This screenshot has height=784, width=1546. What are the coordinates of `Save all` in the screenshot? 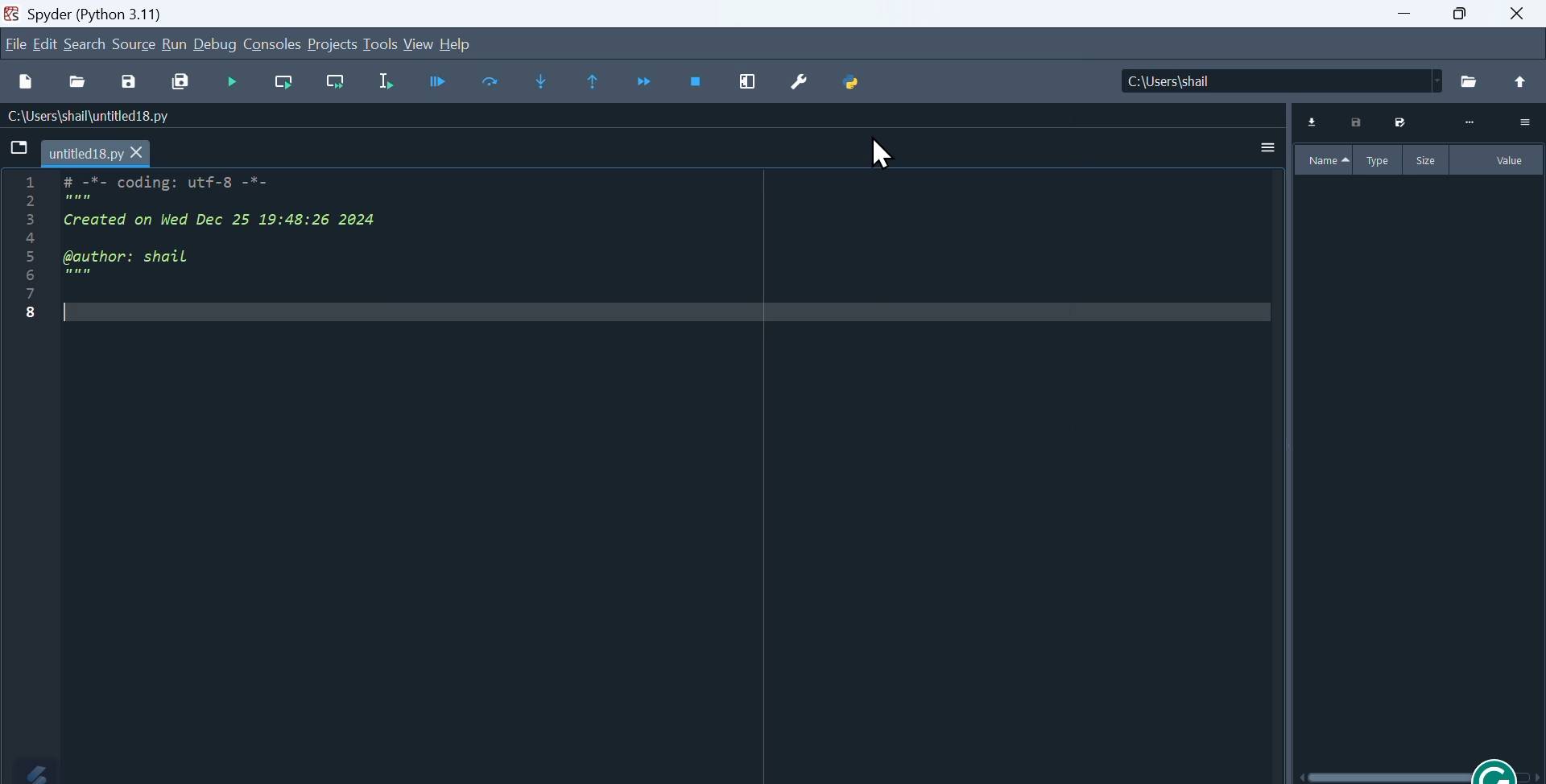 It's located at (184, 80).